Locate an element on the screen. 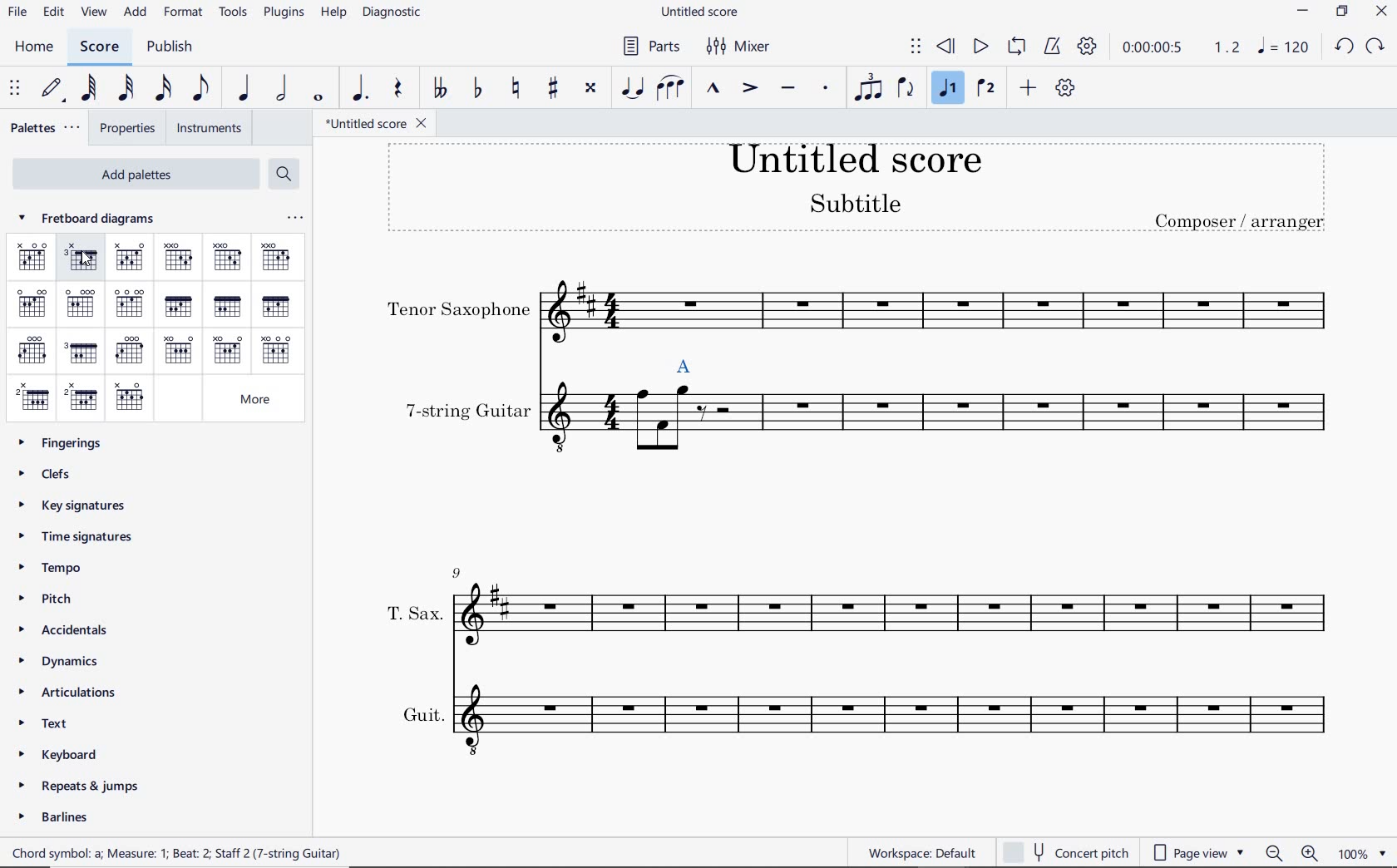 This screenshot has height=868, width=1397. PALETTES is located at coordinates (44, 128).